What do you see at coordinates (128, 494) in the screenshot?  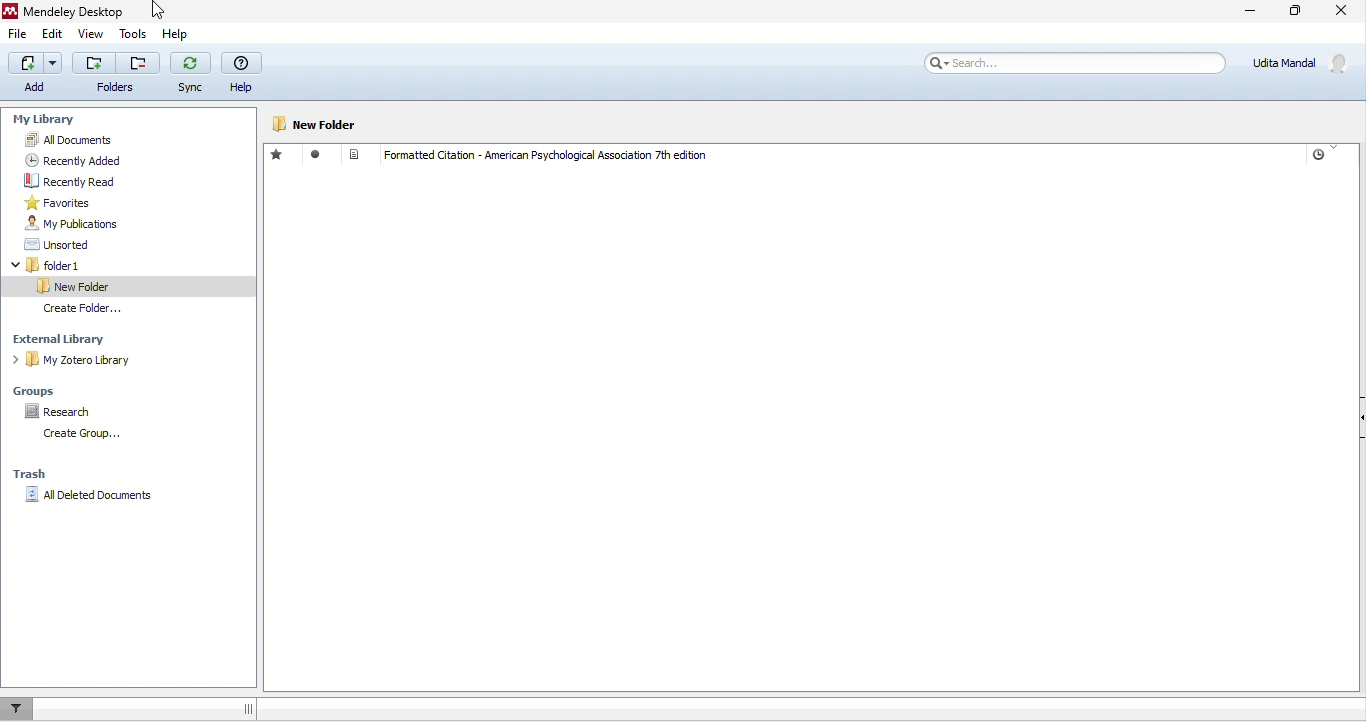 I see `all deleted documents` at bounding box center [128, 494].